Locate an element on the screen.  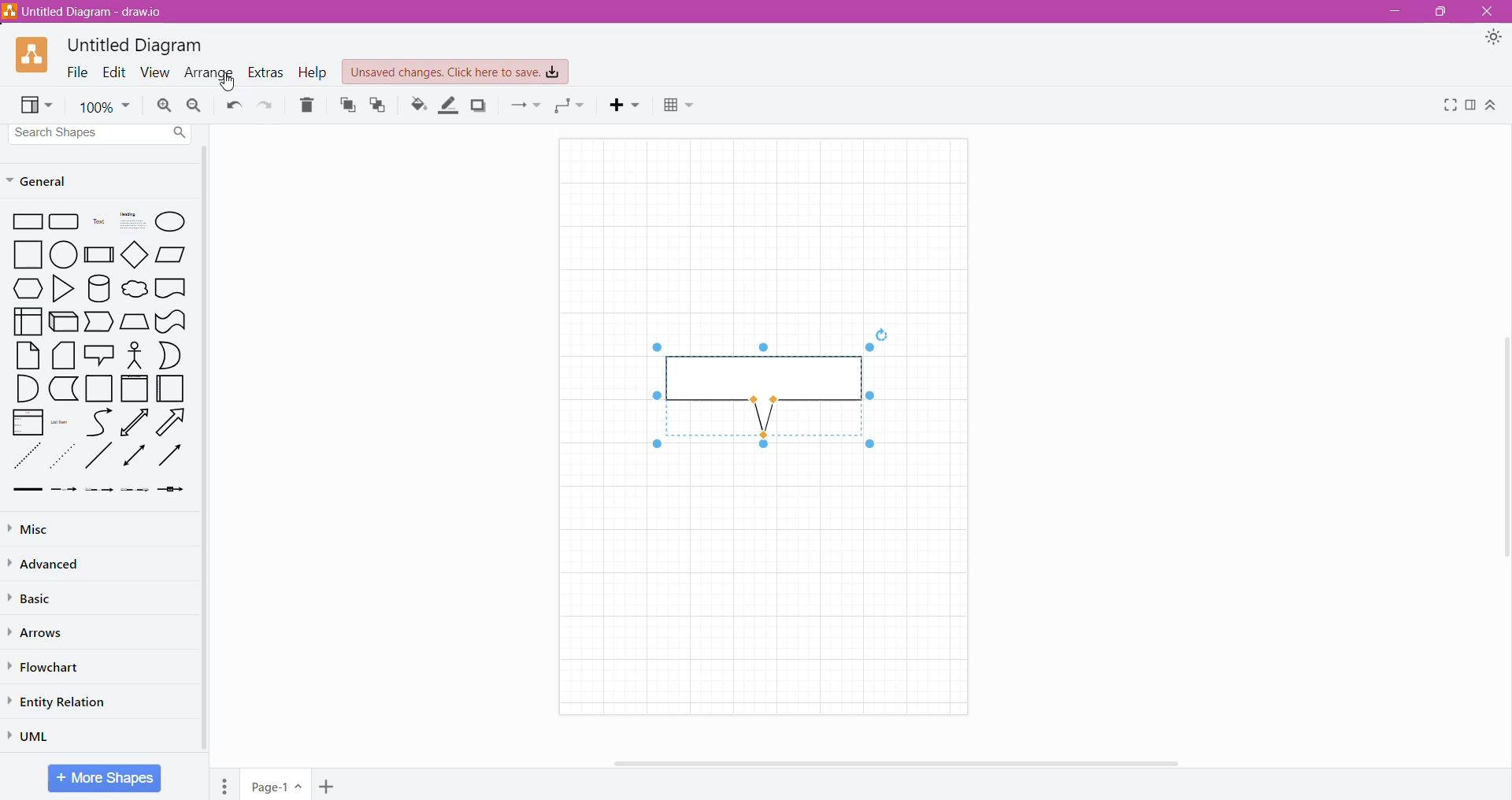
Selected Shape is located at coordinates (762, 389).